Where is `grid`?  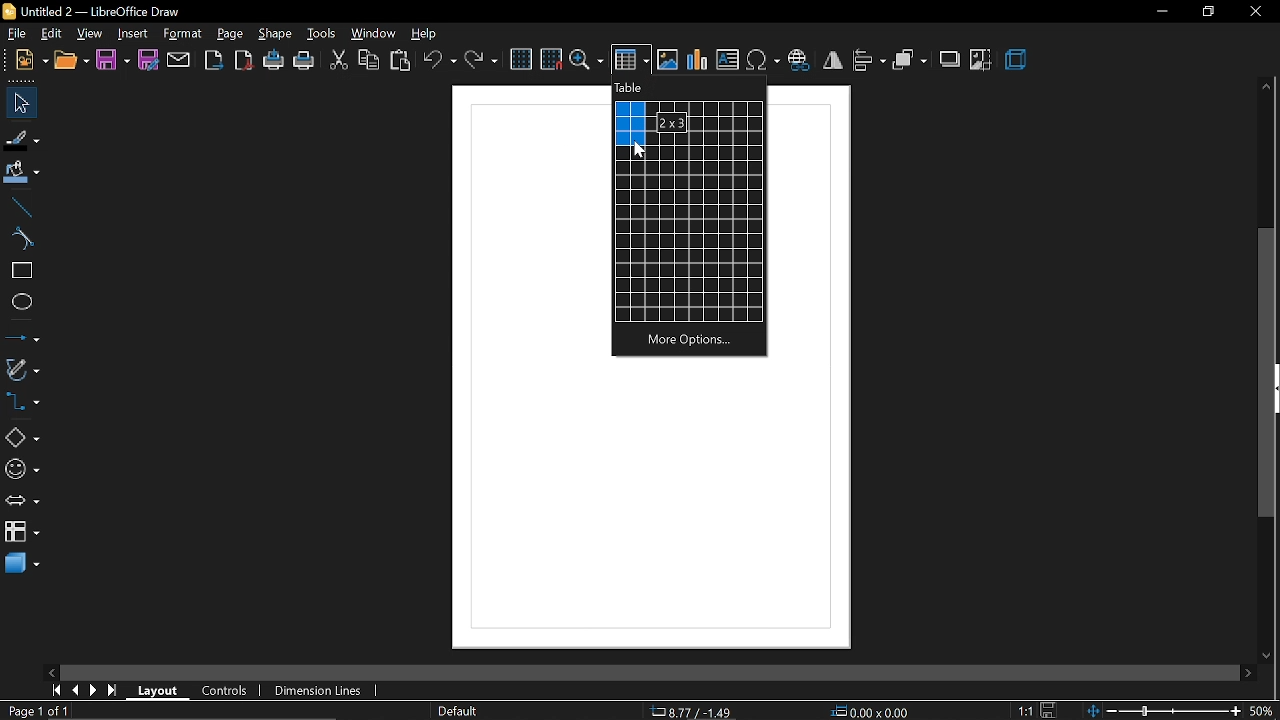
grid is located at coordinates (522, 59).